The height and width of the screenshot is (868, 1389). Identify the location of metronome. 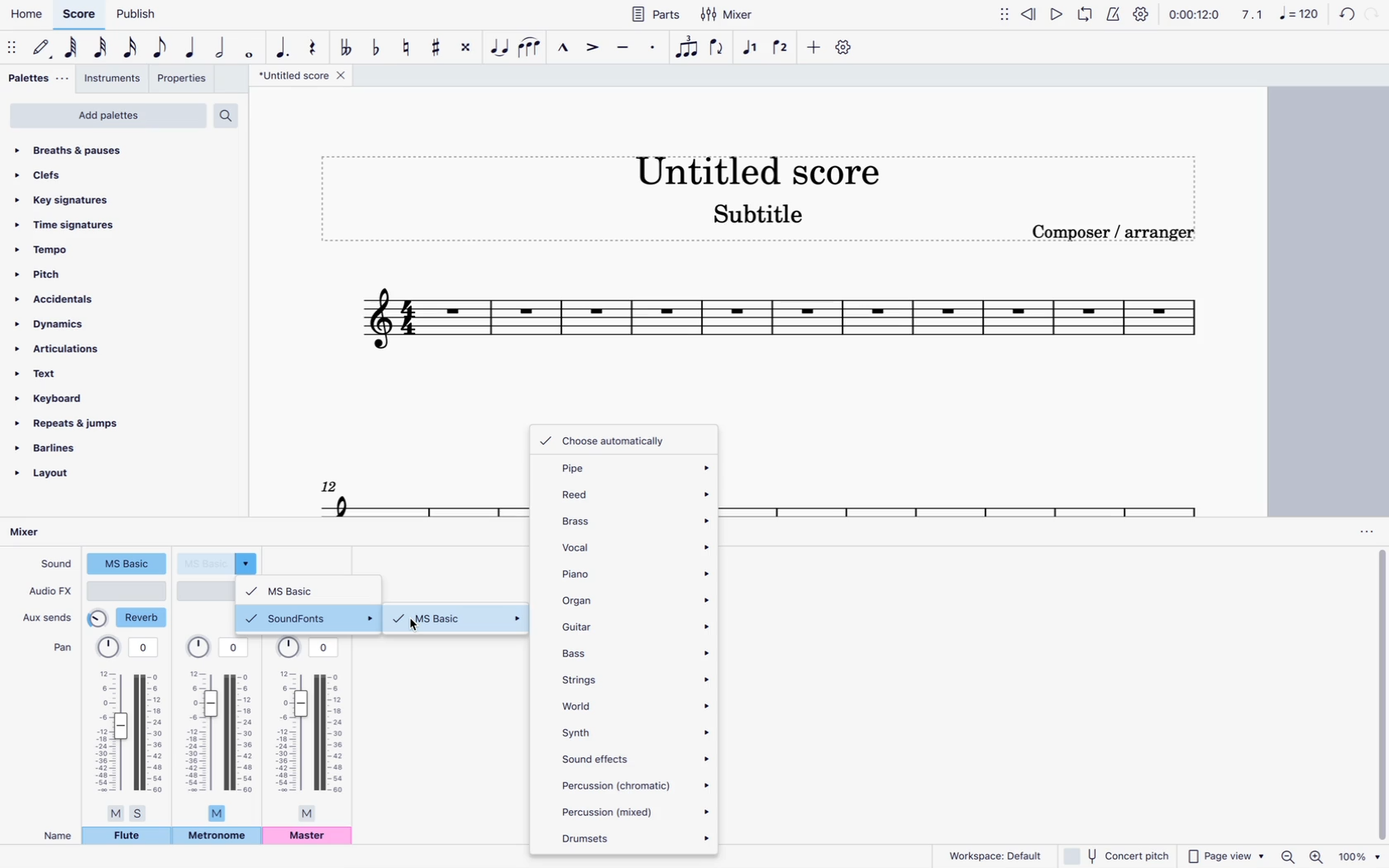
(1116, 14).